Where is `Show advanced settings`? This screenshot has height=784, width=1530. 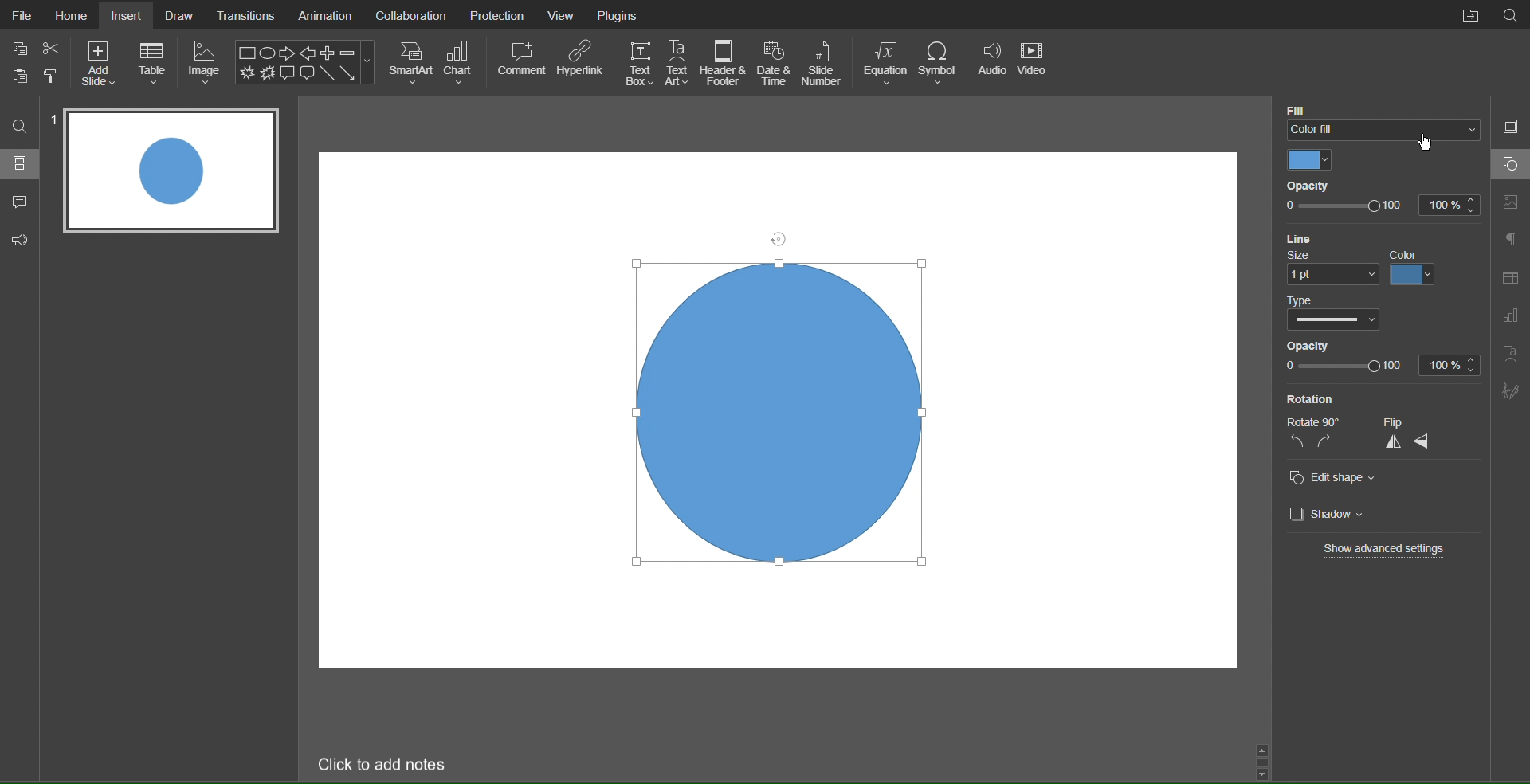
Show advanced settings is located at coordinates (1383, 550).